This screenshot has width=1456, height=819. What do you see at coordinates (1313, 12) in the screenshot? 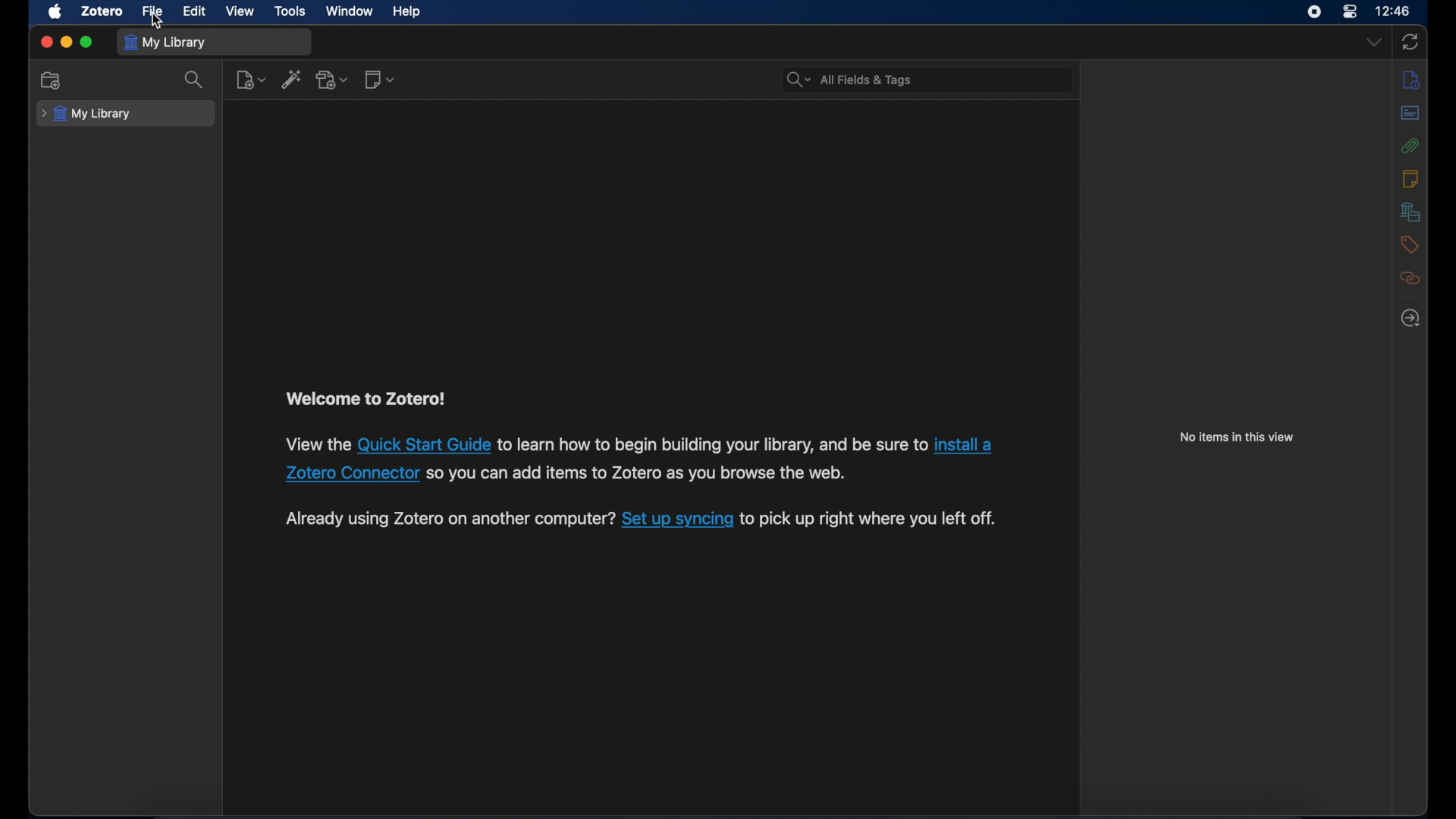
I see `screen recorder ` at bounding box center [1313, 12].